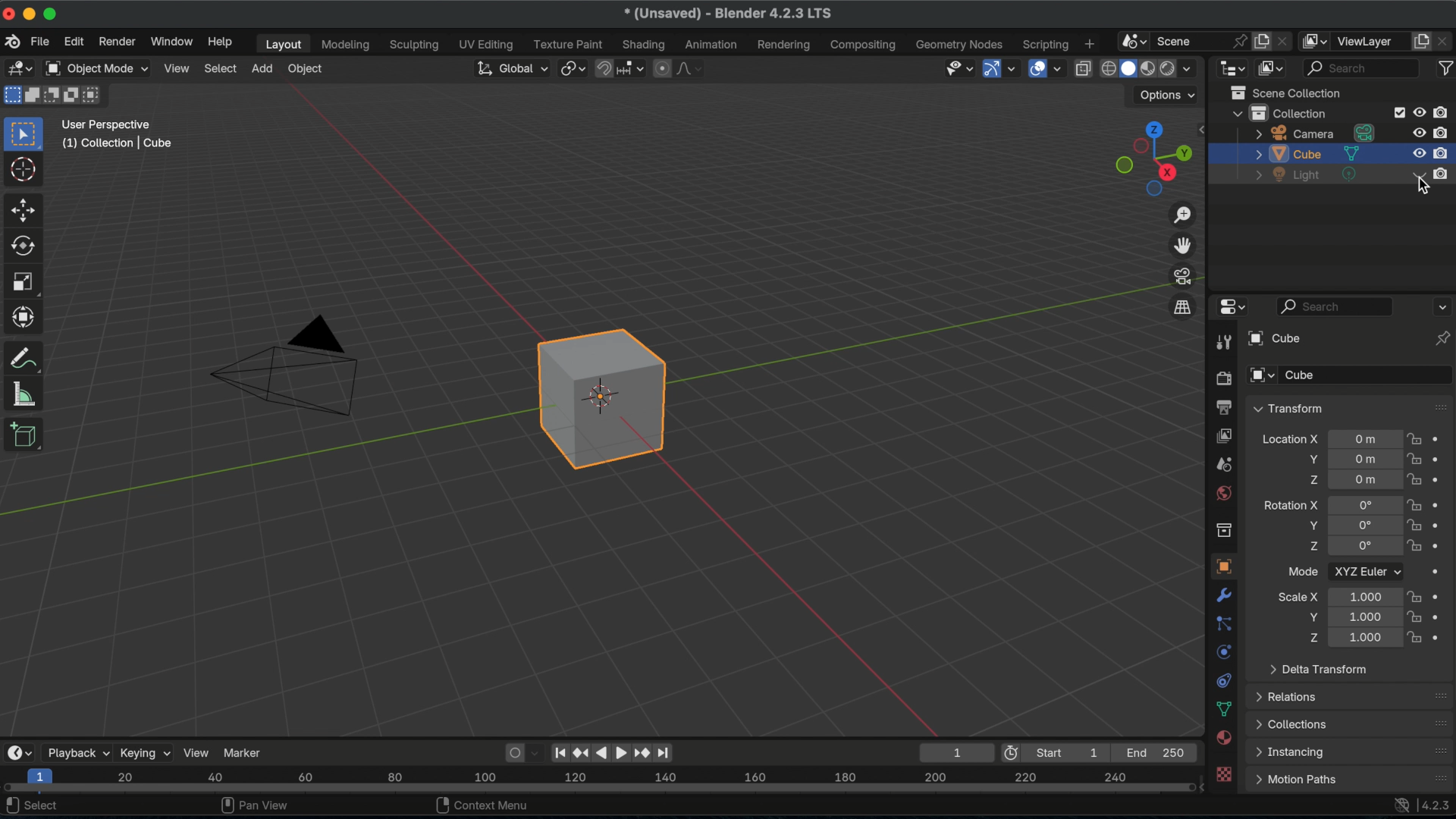 The height and width of the screenshot is (819, 1456). I want to click on , so click(21, 281).